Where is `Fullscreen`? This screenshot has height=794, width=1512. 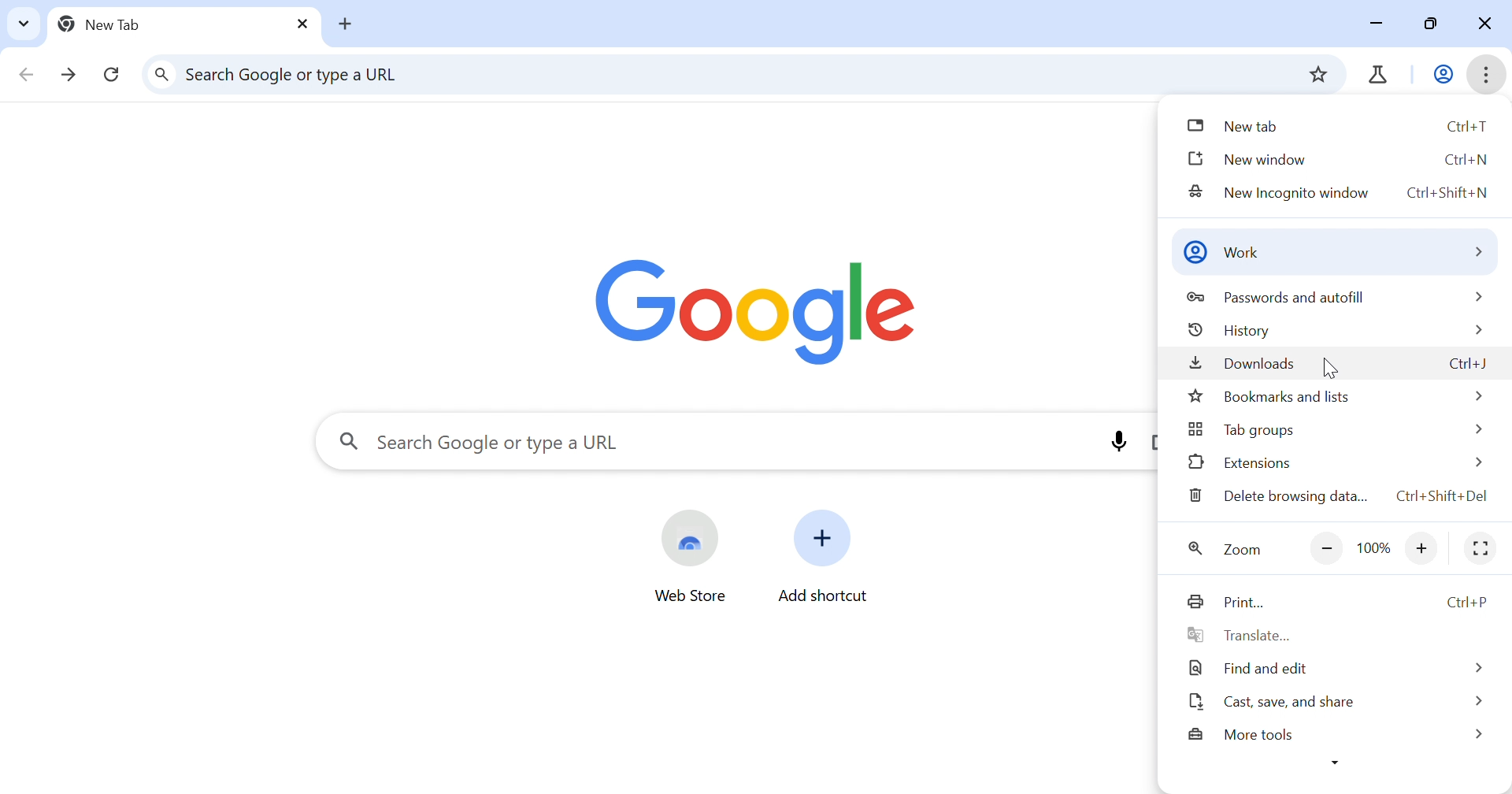
Fullscreen is located at coordinates (1481, 551).